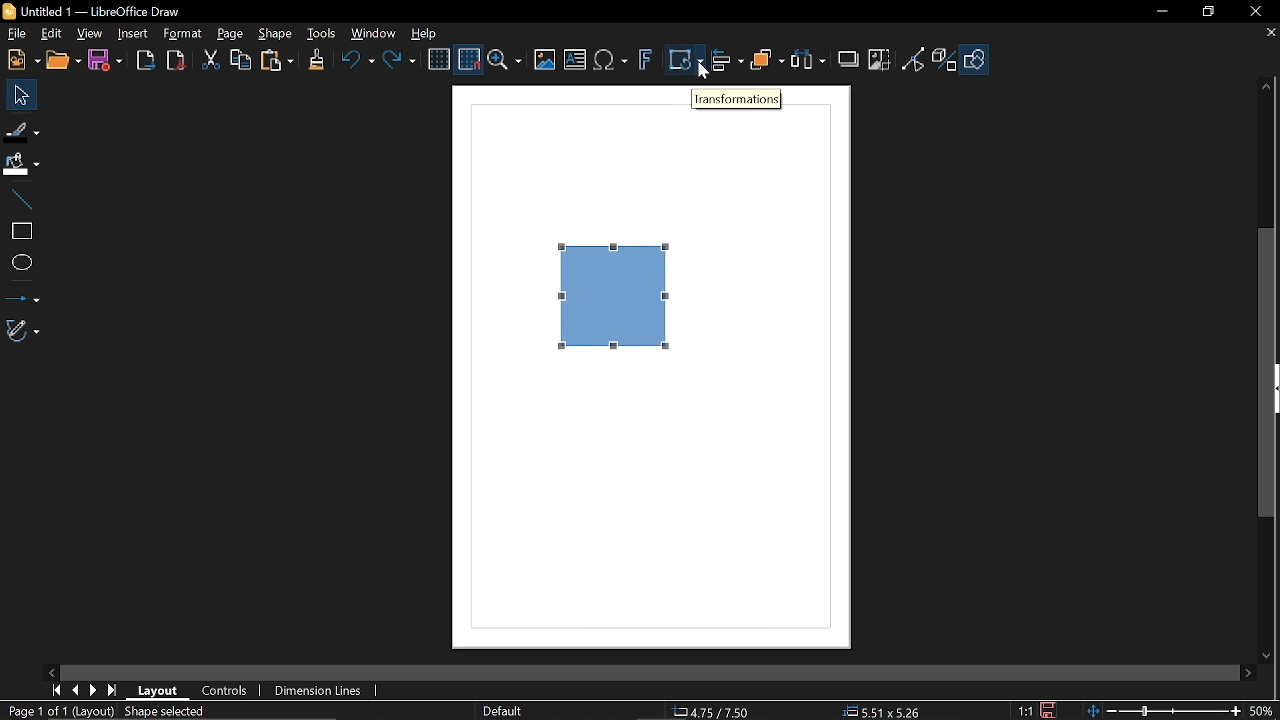  What do you see at coordinates (50, 35) in the screenshot?
I see `Edit` at bounding box center [50, 35].